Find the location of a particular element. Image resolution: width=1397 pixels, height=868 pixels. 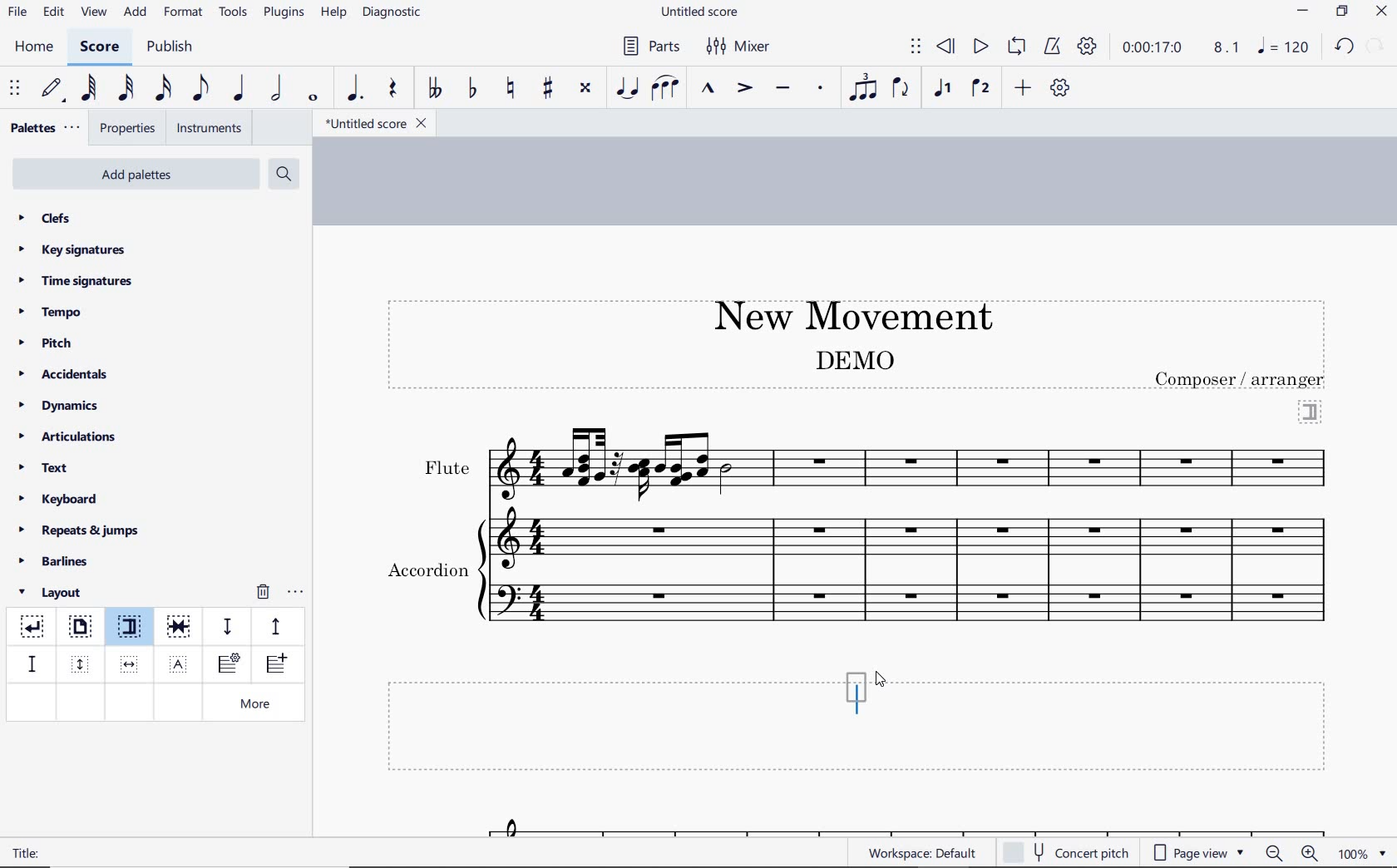

select to move is located at coordinates (916, 47).